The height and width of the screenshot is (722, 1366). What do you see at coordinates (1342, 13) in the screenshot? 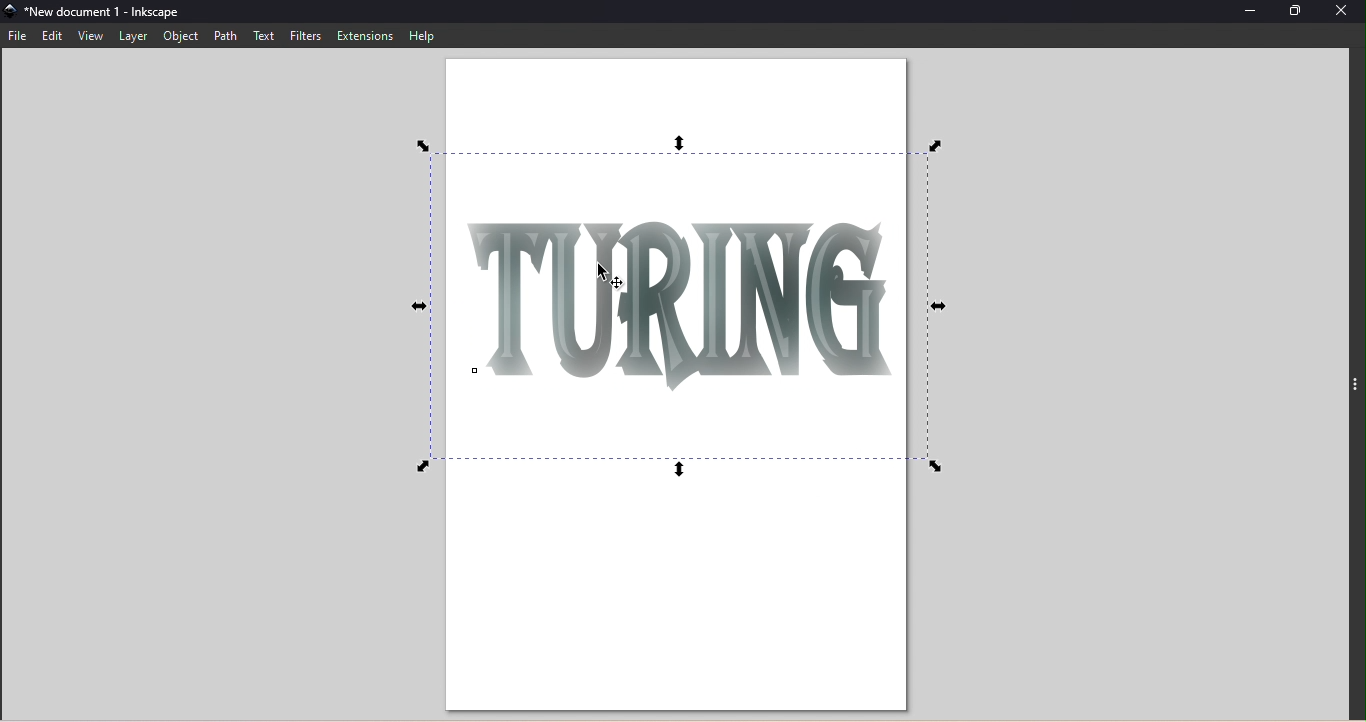
I see `Close` at bounding box center [1342, 13].